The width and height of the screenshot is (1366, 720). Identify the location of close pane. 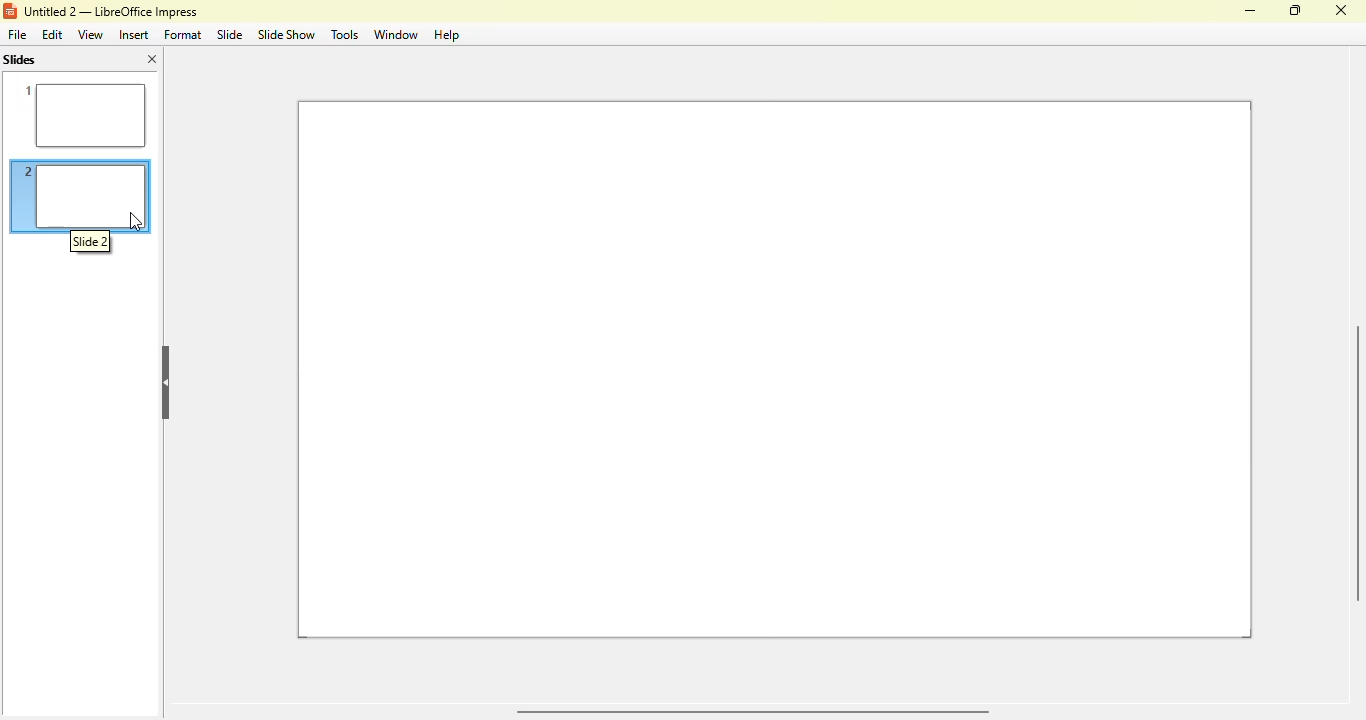
(152, 59).